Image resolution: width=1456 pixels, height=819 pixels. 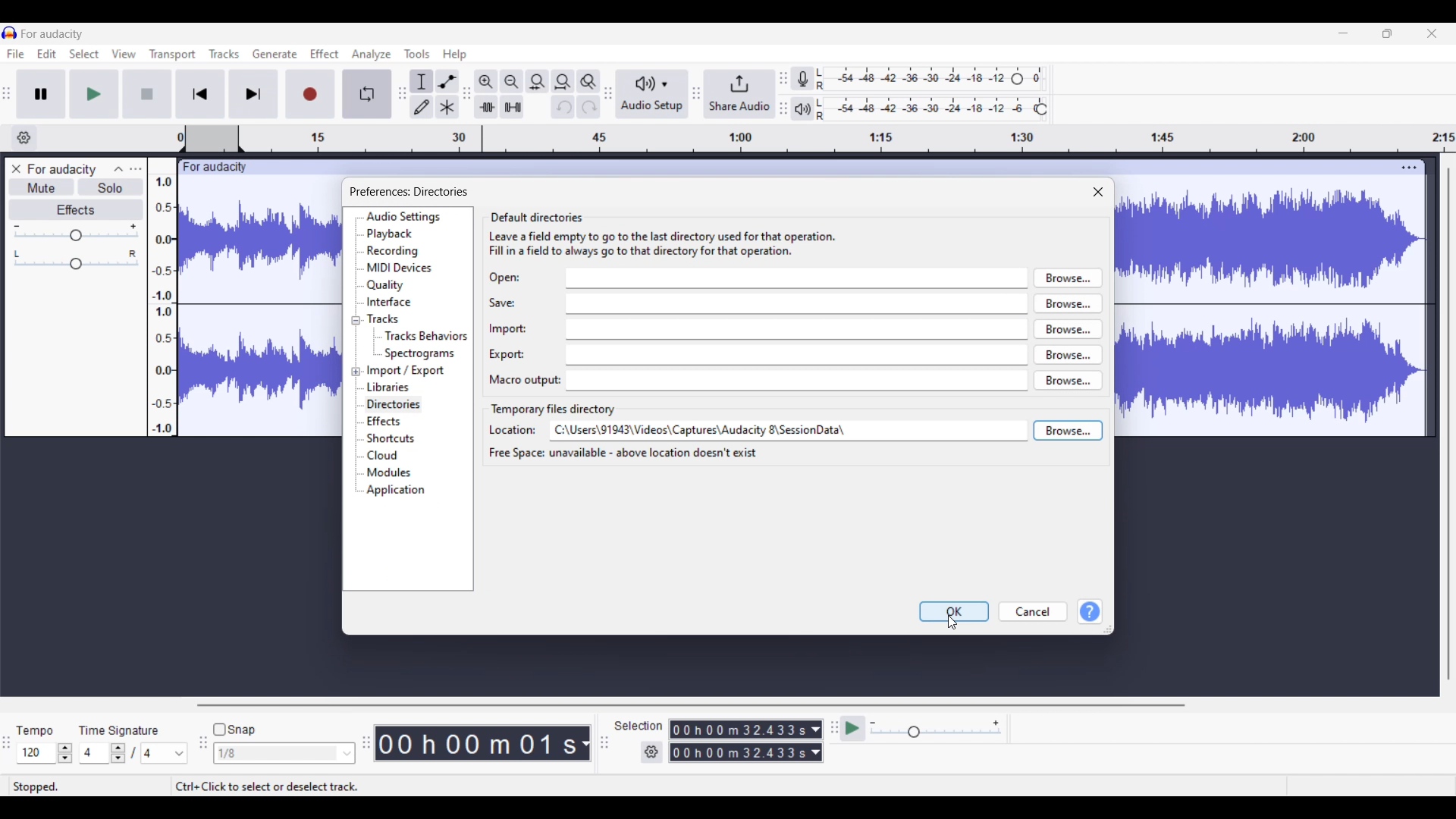 What do you see at coordinates (162, 305) in the screenshot?
I see `Scale to measure track intensity` at bounding box center [162, 305].